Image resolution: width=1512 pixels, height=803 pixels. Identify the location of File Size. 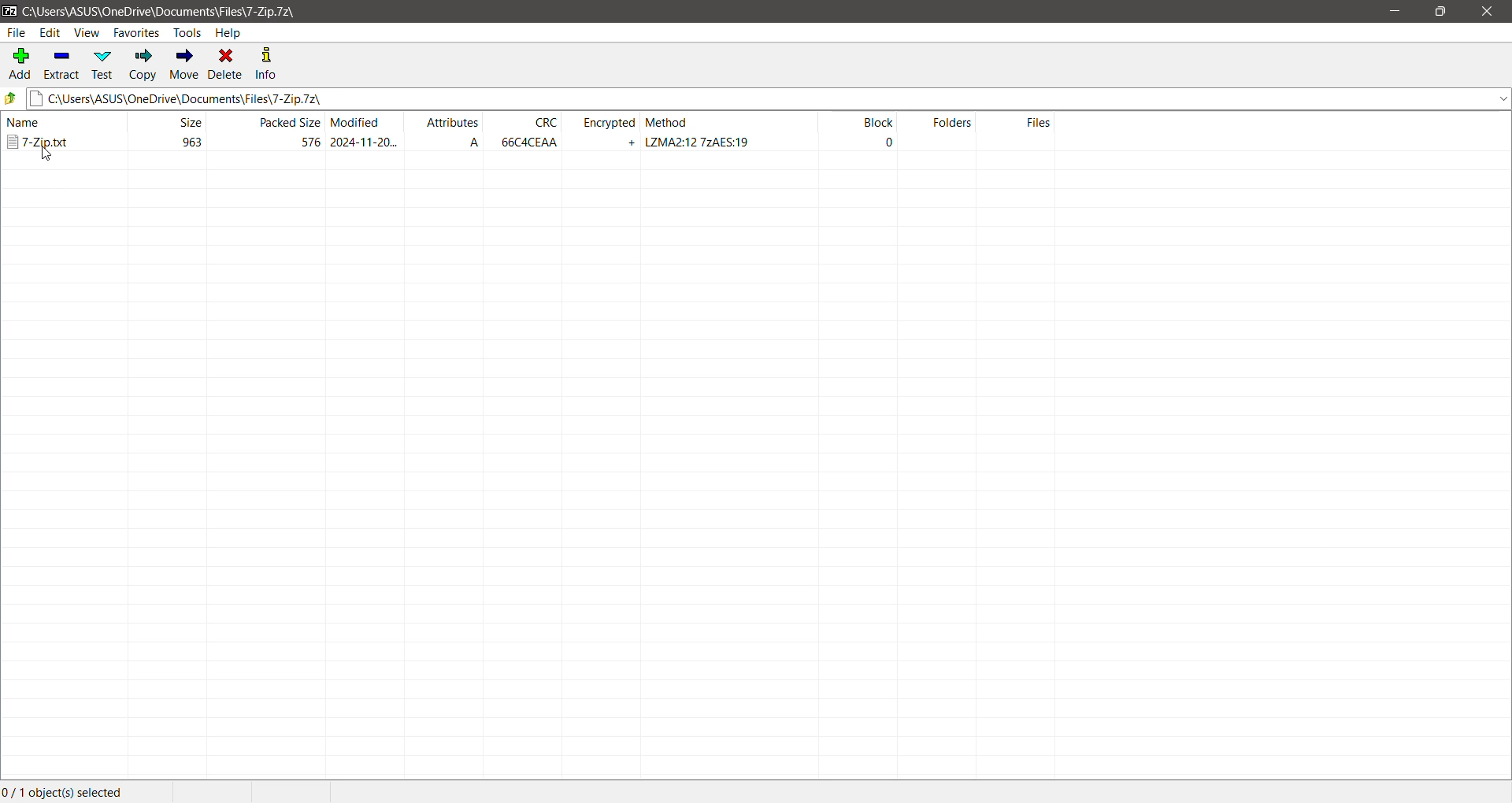
(167, 132).